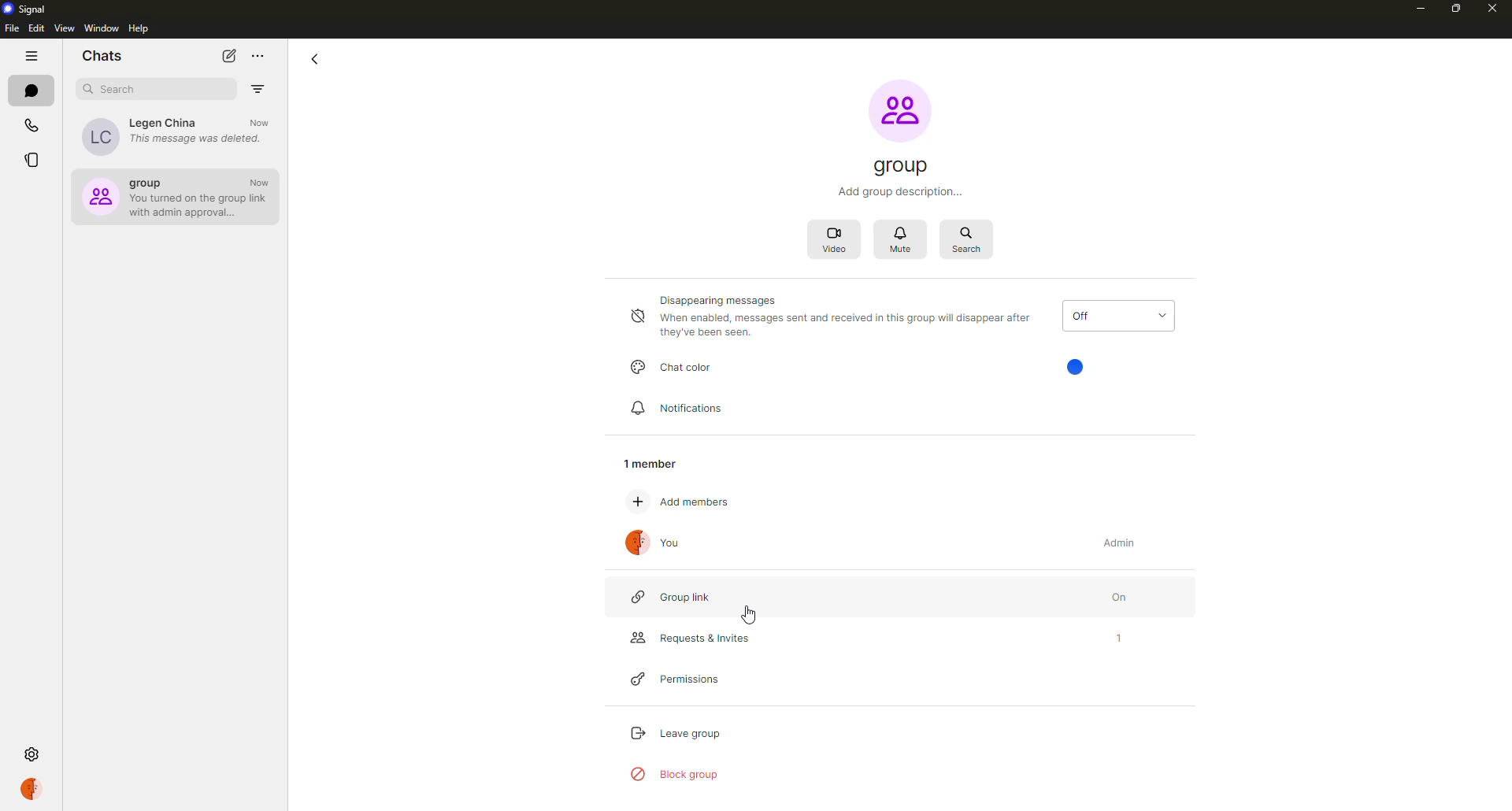 This screenshot has height=811, width=1512. I want to click on hide tabs, so click(33, 57).